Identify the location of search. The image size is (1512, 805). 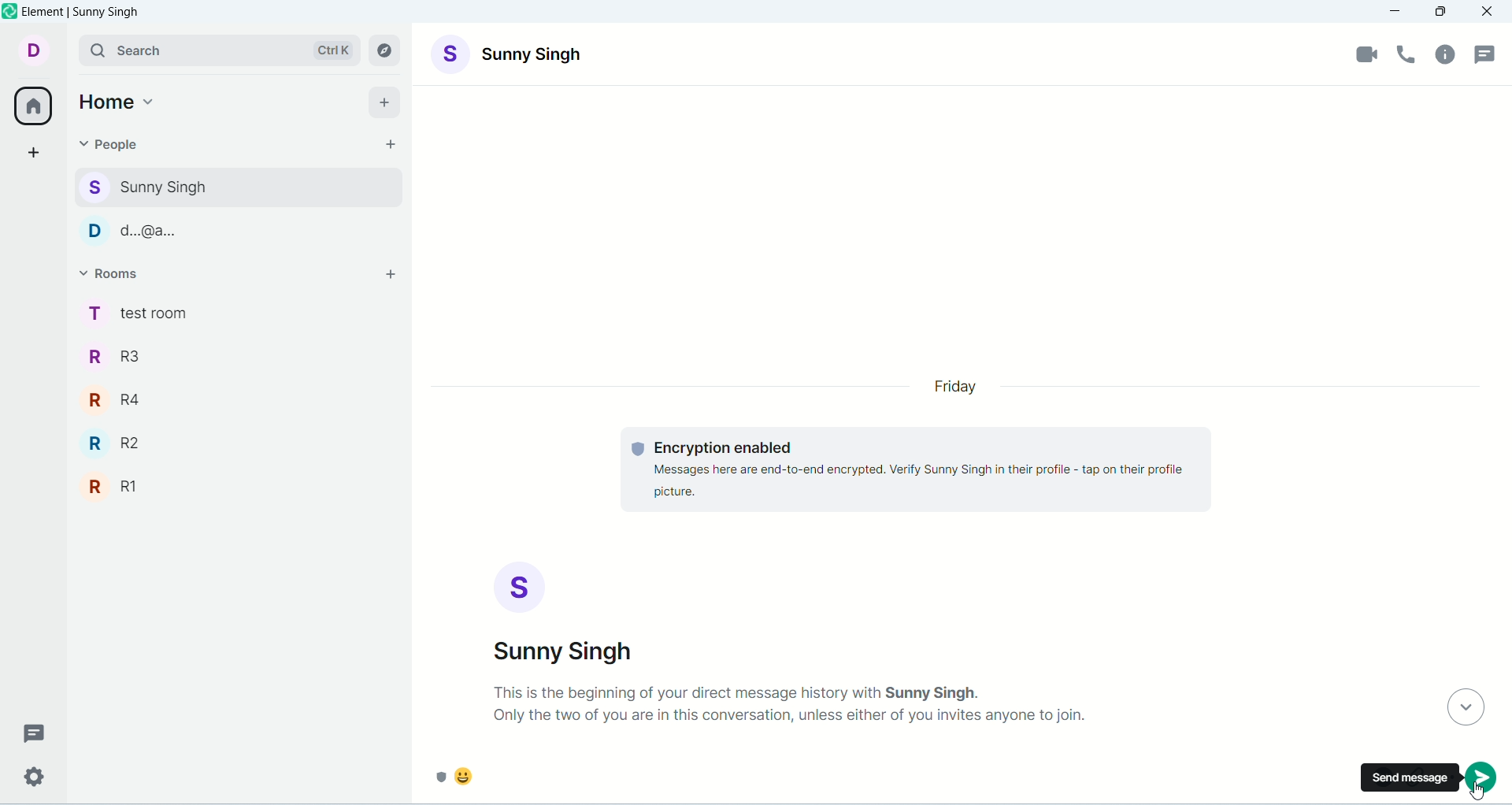
(218, 50).